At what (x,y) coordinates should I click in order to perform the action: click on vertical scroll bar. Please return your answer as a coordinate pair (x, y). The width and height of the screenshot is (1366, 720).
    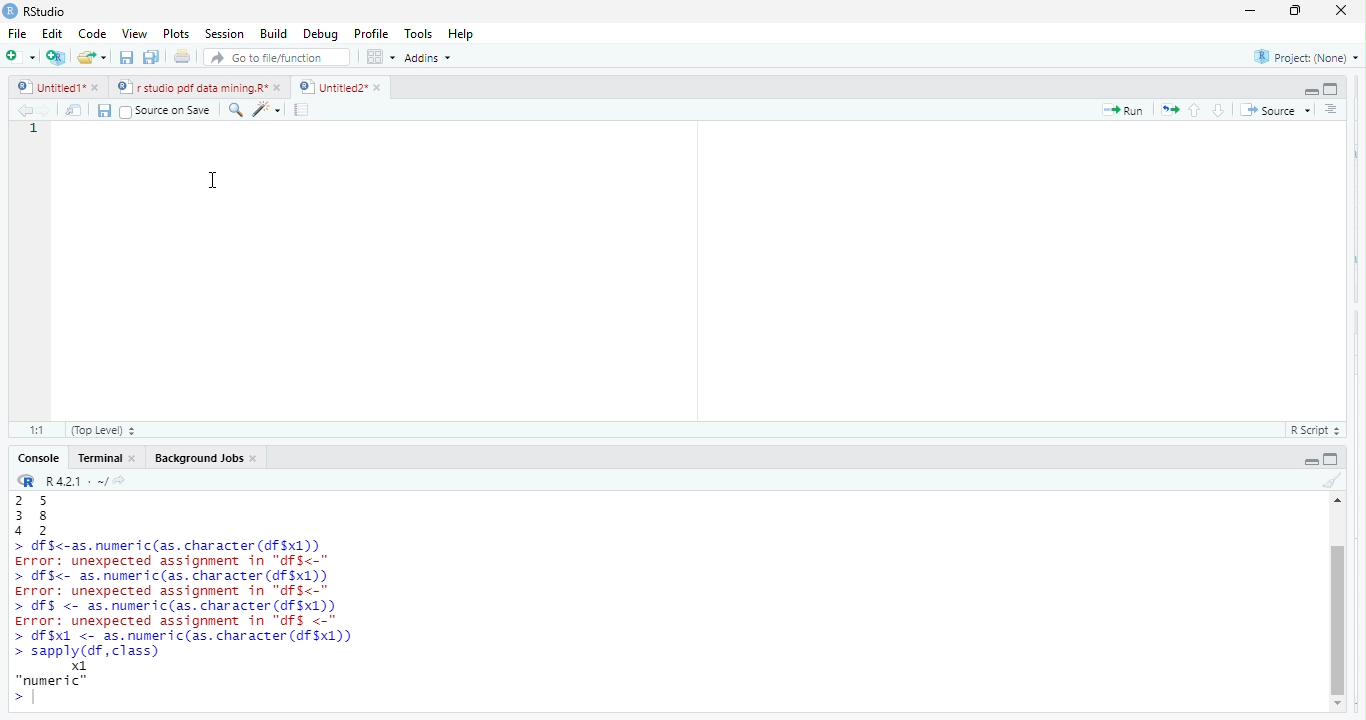
    Looking at the image, I should click on (1340, 601).